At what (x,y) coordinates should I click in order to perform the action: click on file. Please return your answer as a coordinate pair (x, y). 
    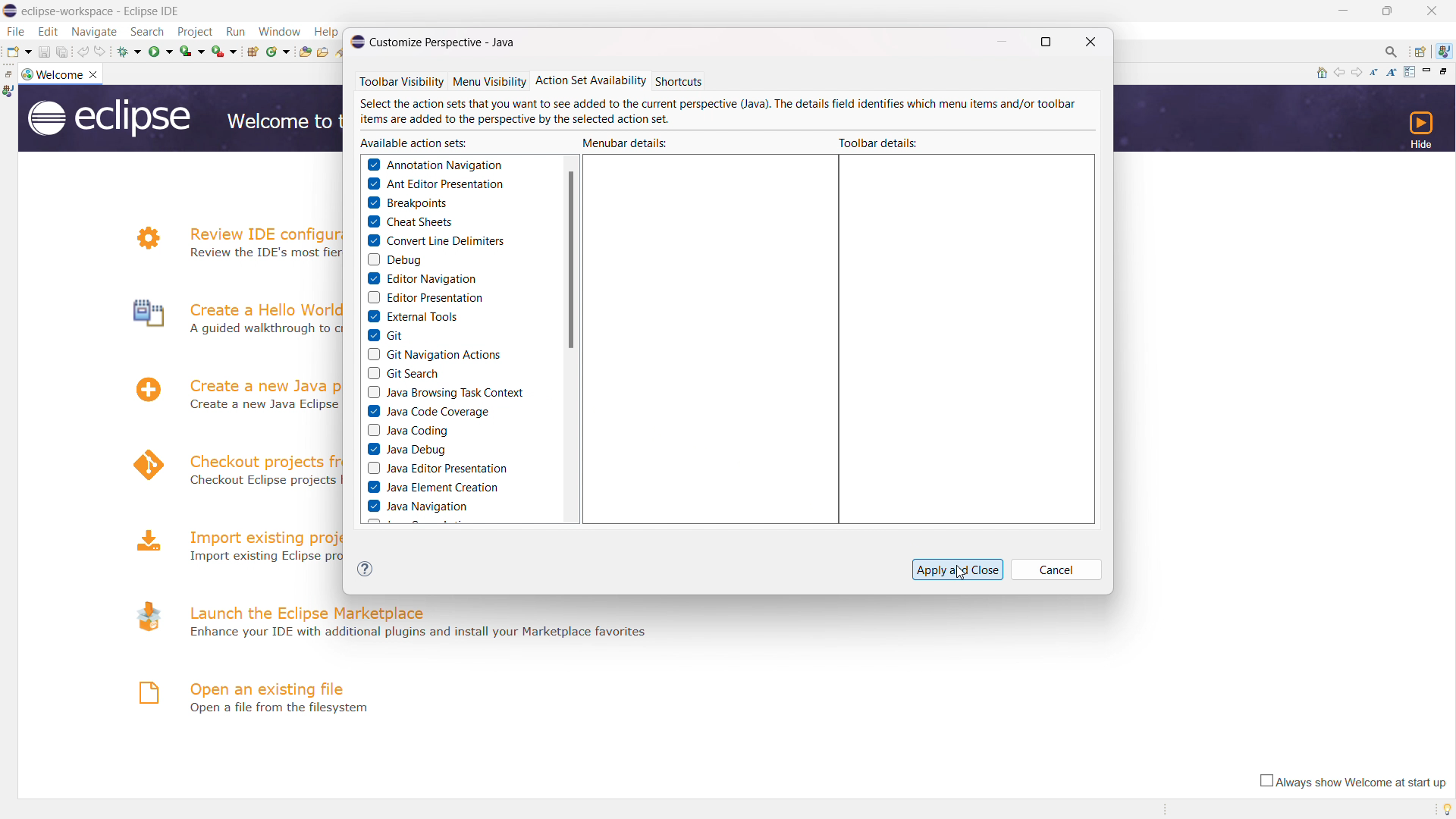
    Looking at the image, I should click on (16, 31).